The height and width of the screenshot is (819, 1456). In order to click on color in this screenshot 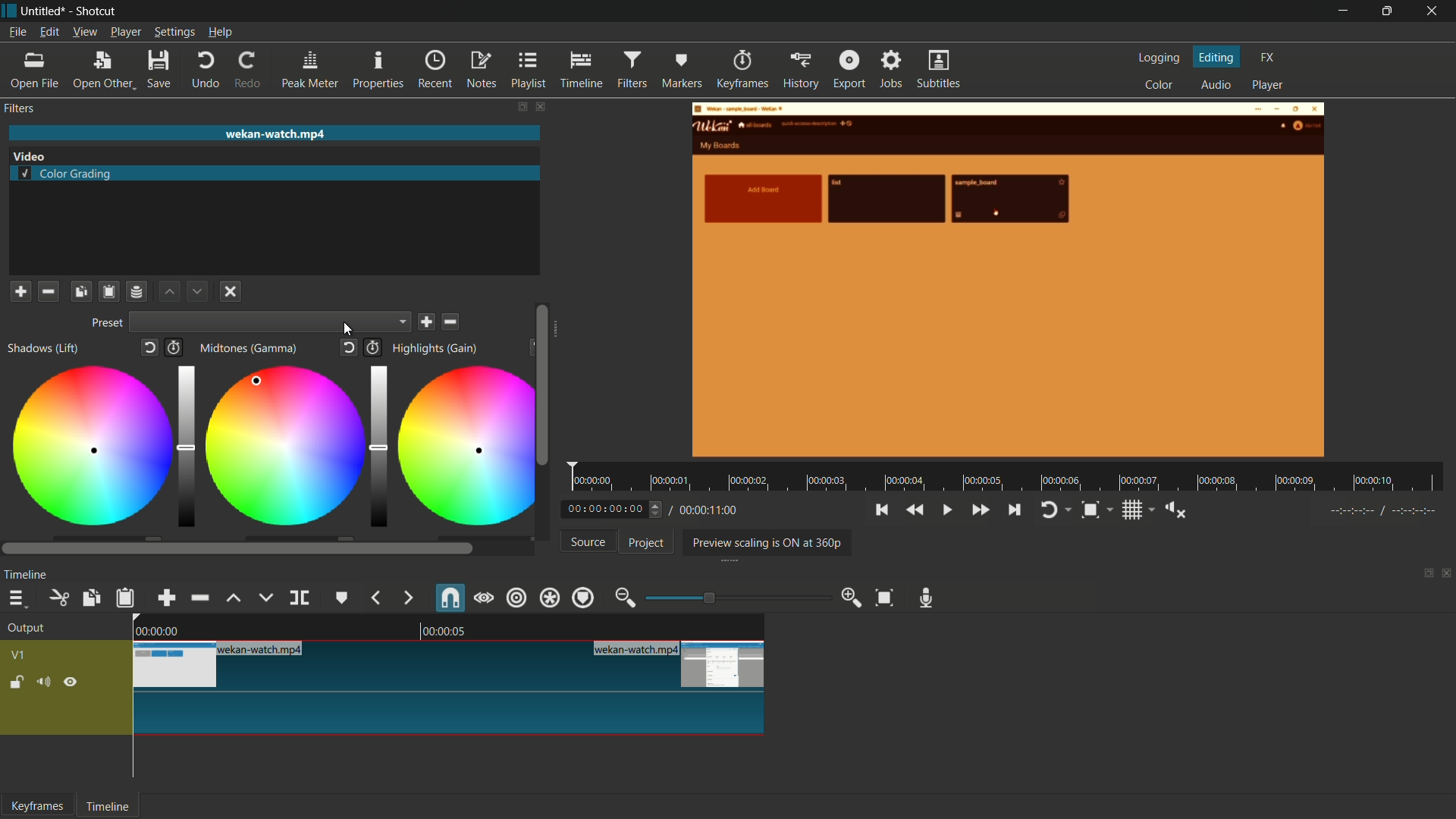, I will do `click(1159, 86)`.